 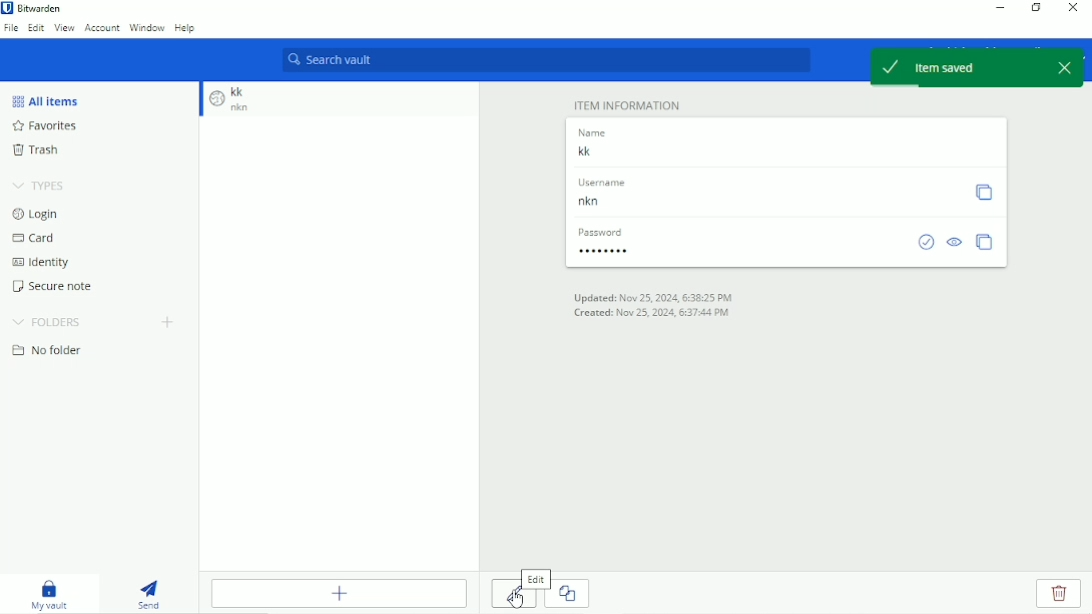 I want to click on Login, so click(x=36, y=214).